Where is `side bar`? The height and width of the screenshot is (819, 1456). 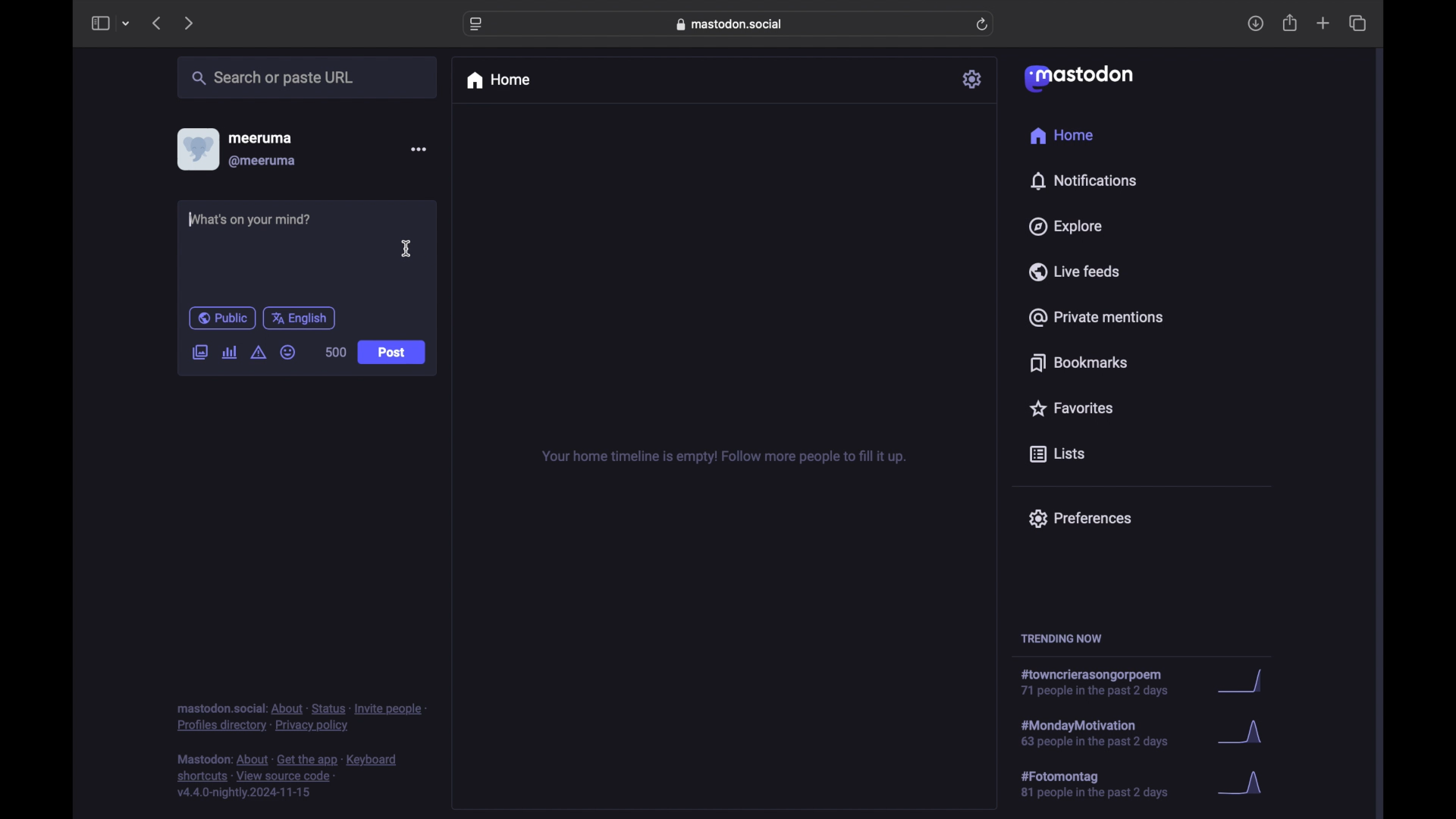
side bar is located at coordinates (99, 23).